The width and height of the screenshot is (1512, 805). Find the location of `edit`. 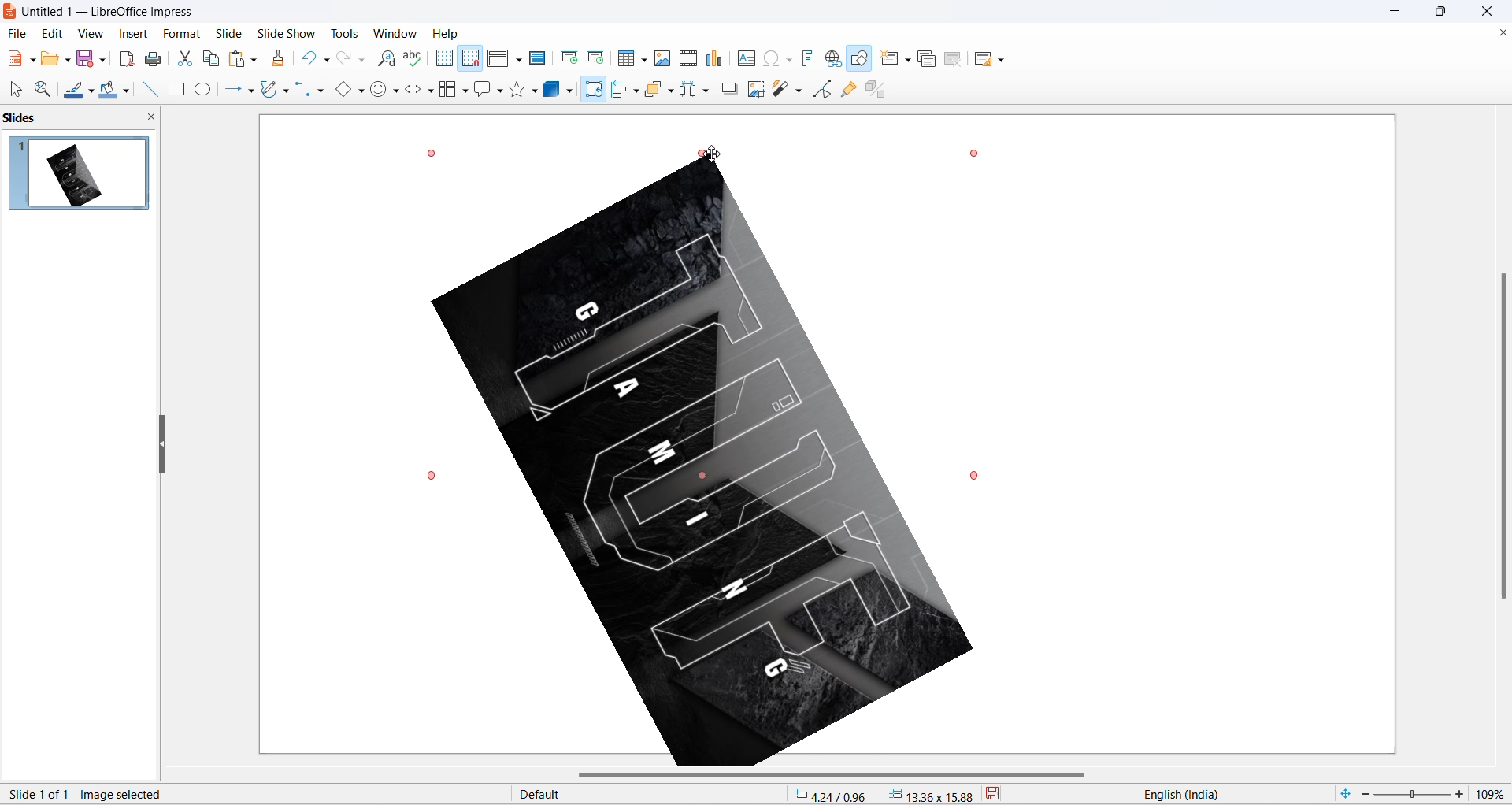

edit is located at coordinates (54, 33).